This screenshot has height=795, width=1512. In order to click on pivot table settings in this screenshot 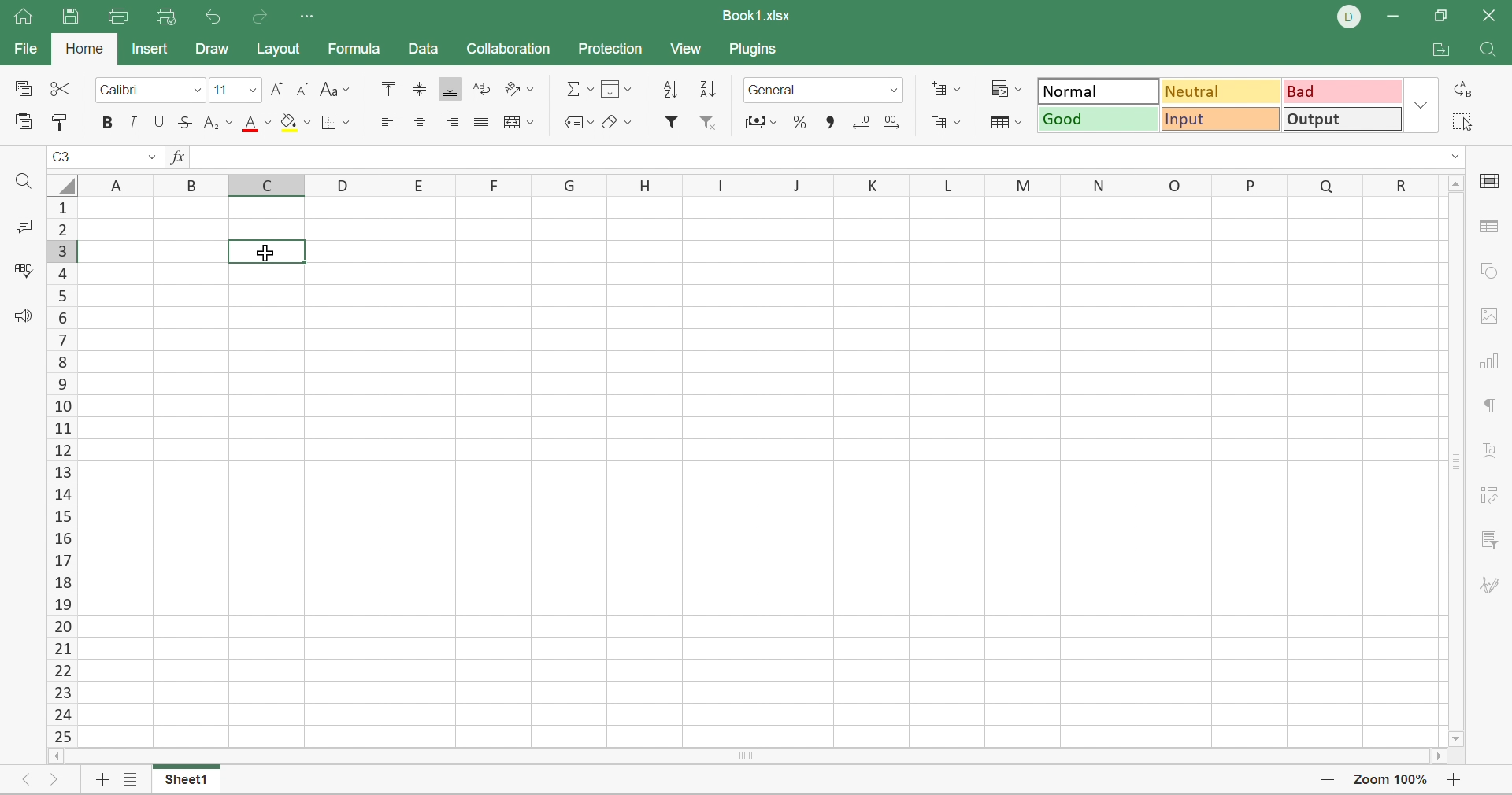, I will do `click(1488, 494)`.